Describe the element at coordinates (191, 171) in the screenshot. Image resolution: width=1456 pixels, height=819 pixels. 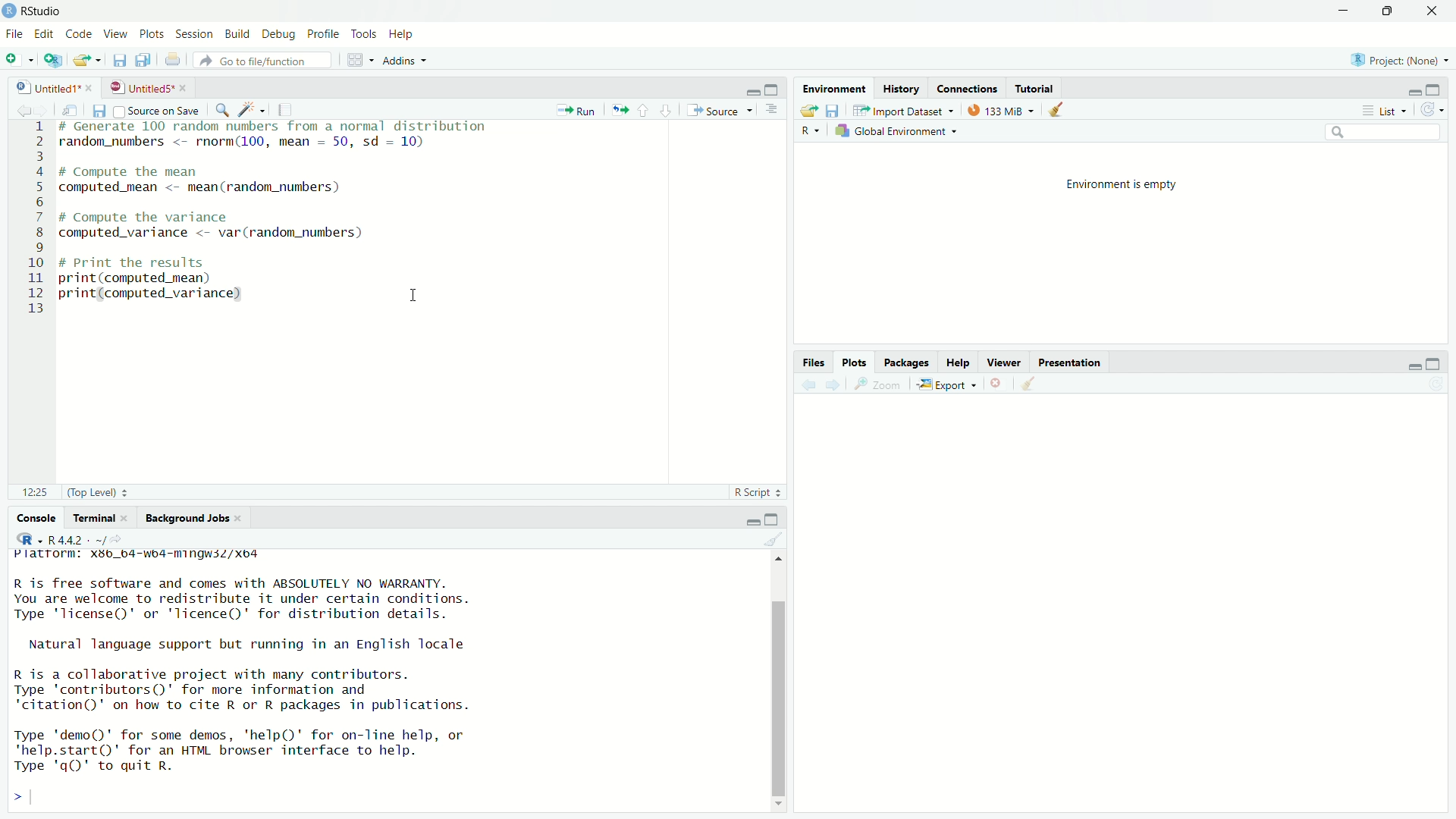
I see `# Compute the mean` at that location.